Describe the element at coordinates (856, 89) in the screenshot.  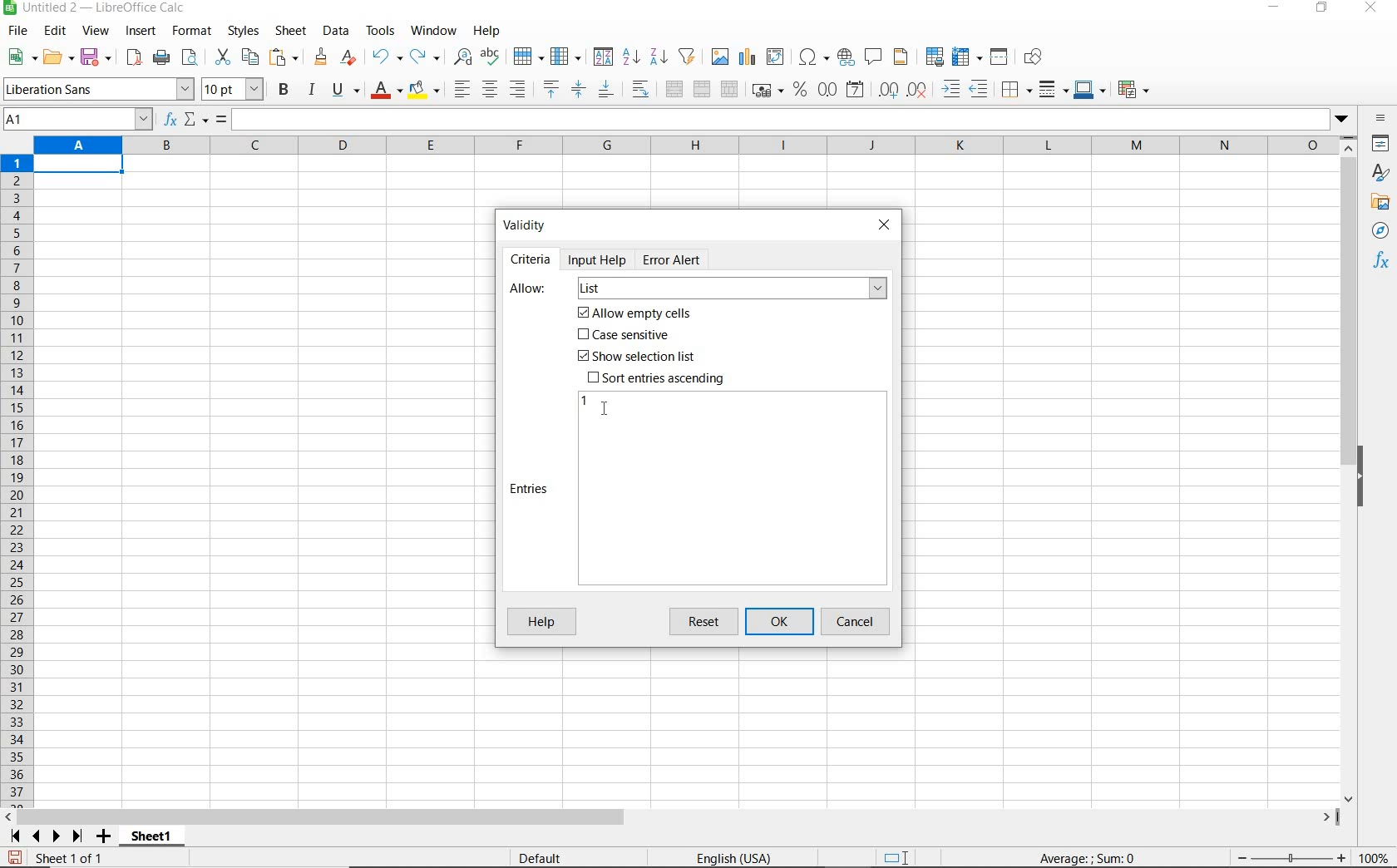
I see `format as date` at that location.